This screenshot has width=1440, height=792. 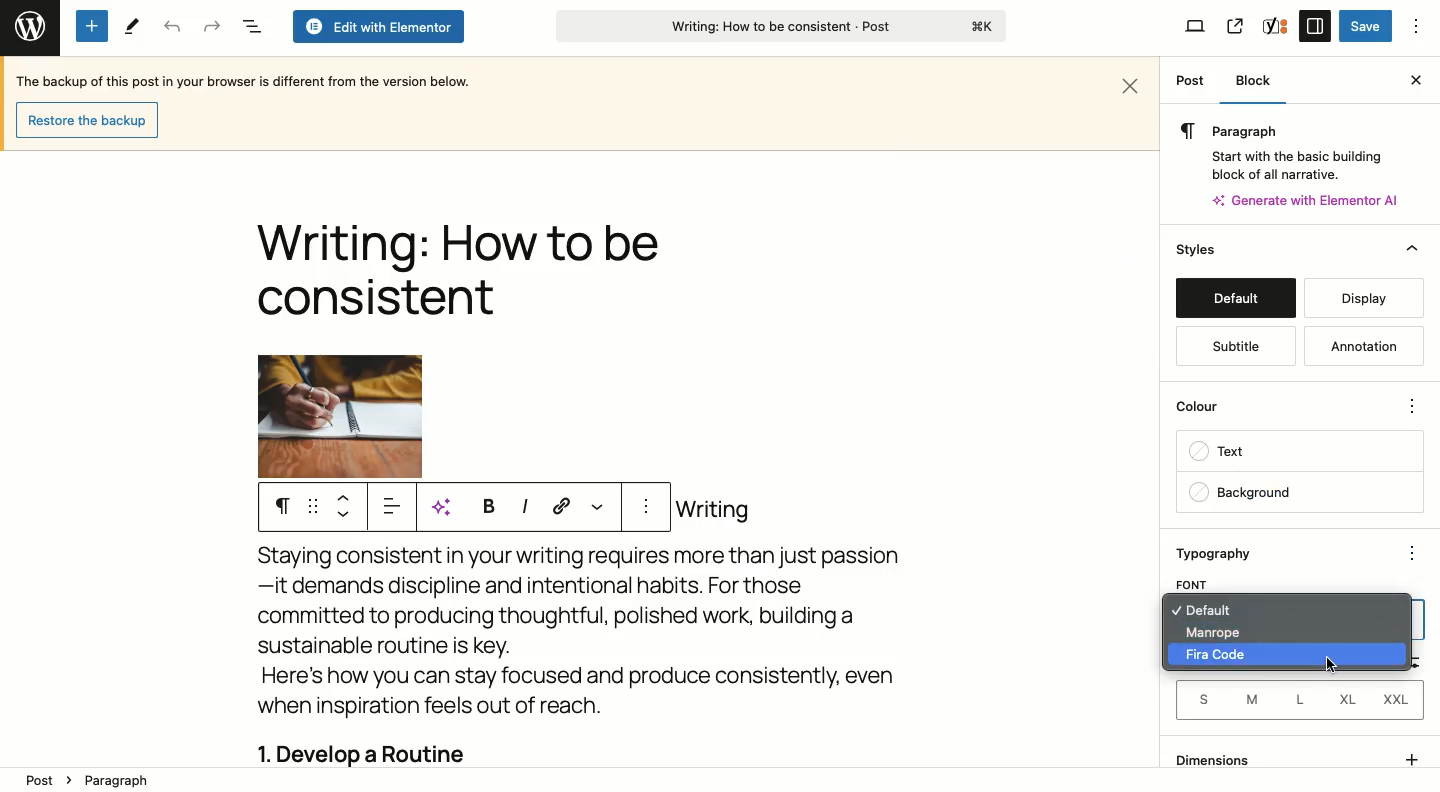 What do you see at coordinates (562, 505) in the screenshot?
I see `Link` at bounding box center [562, 505].